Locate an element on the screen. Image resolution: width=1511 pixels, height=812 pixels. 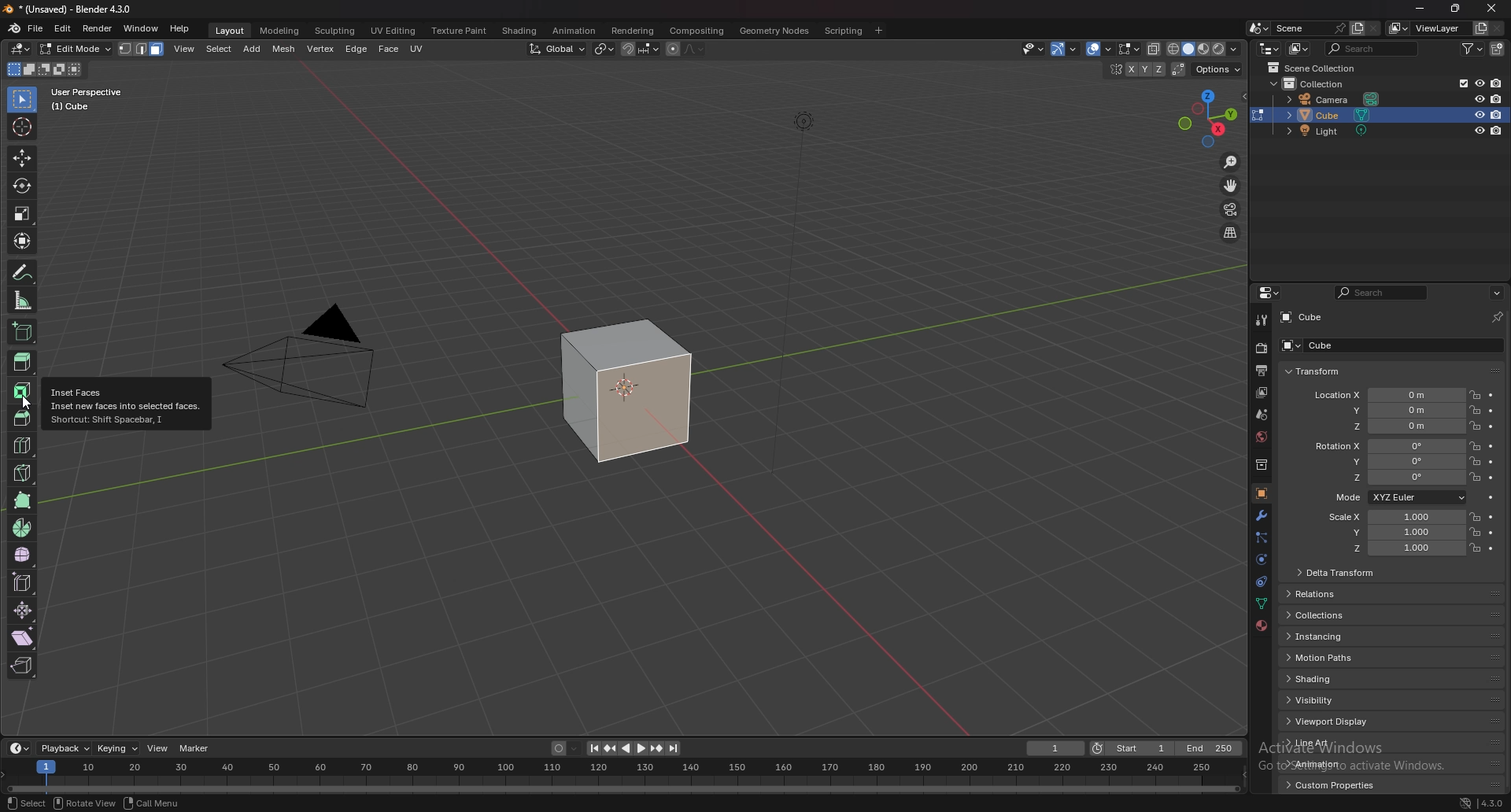
view layer is located at coordinates (1262, 393).